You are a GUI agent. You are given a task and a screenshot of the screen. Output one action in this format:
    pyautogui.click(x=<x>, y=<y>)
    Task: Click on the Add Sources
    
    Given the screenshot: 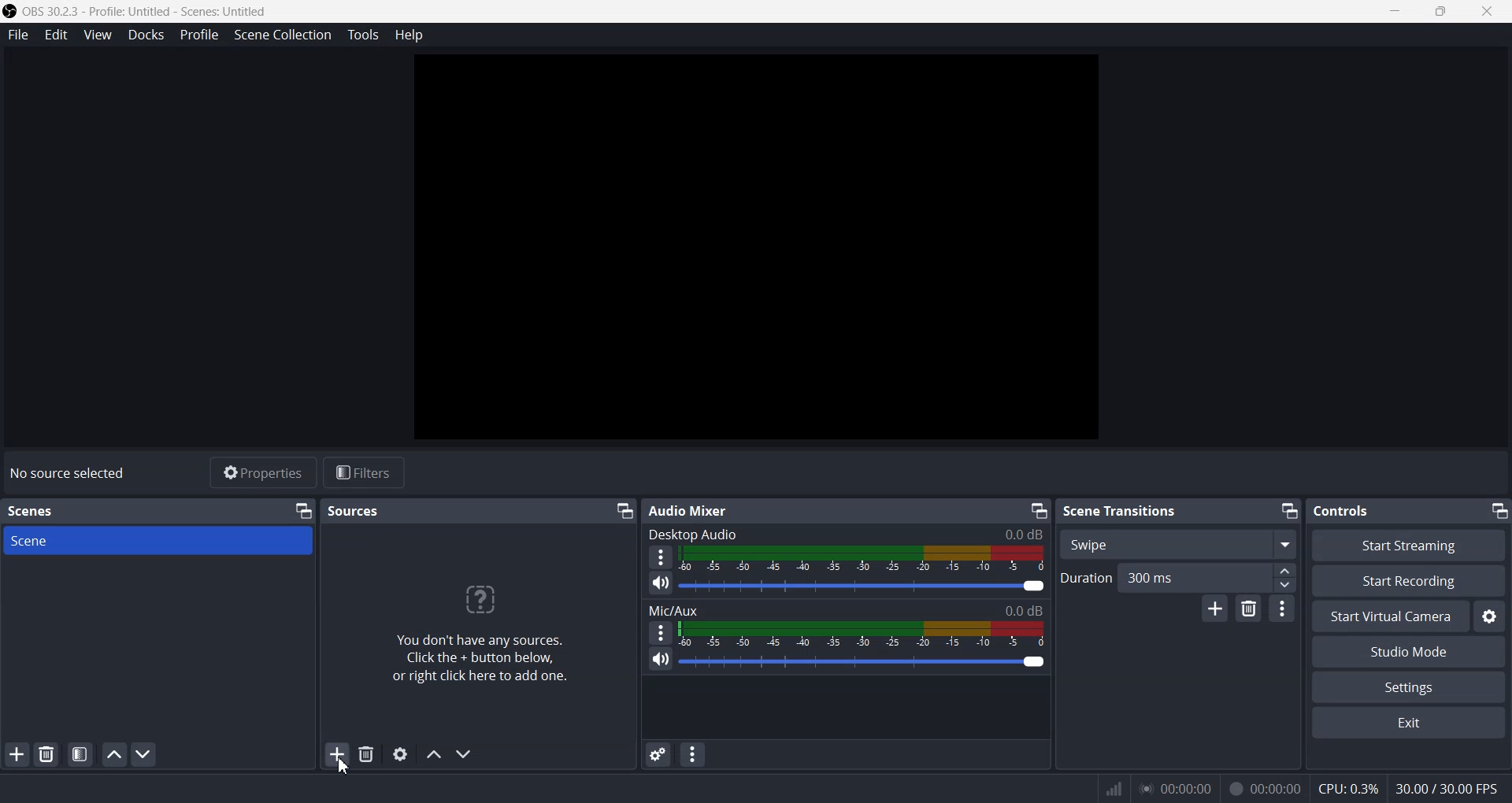 What is the action you would take?
    pyautogui.click(x=337, y=754)
    